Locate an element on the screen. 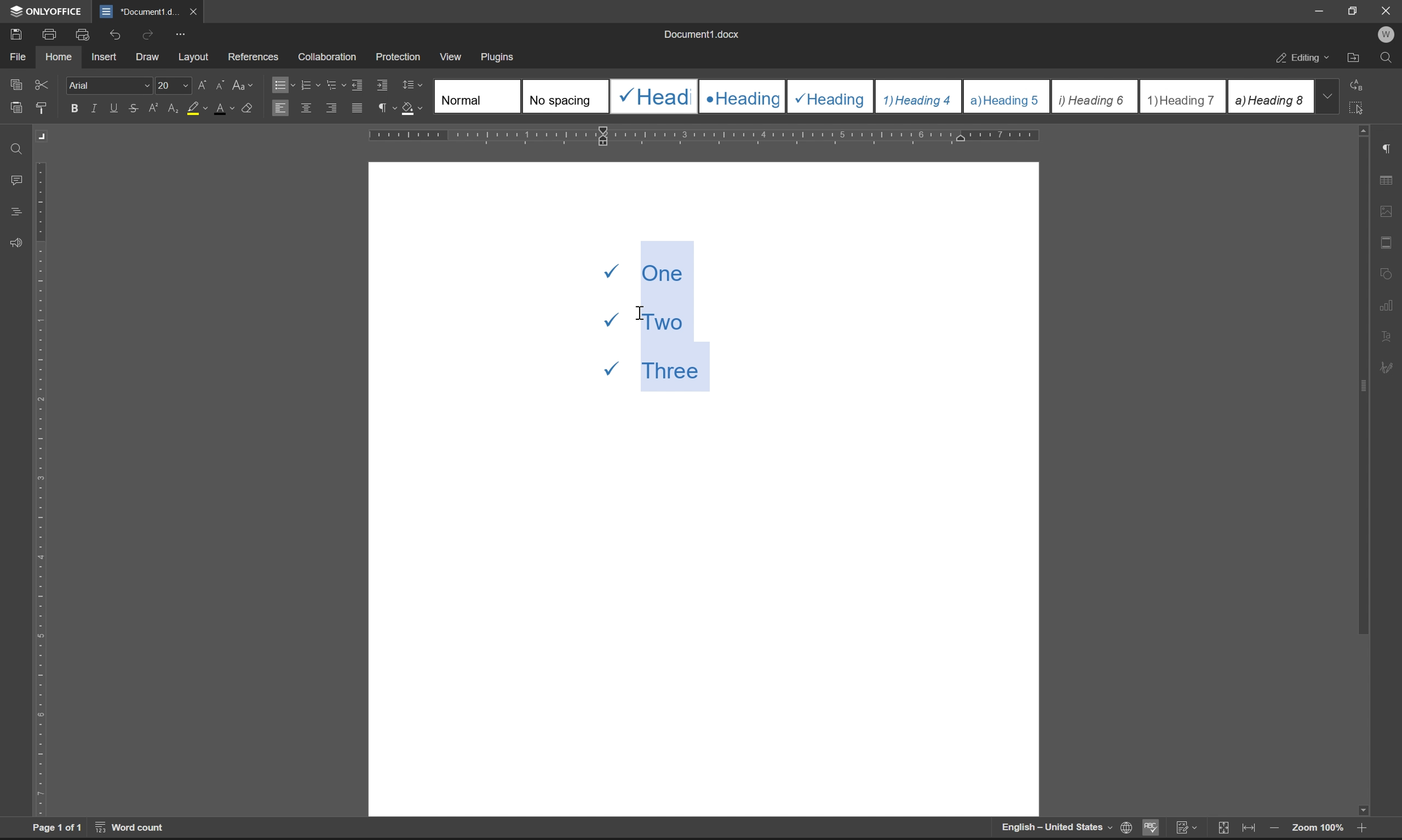 The height and width of the screenshot is (840, 1402). customize quick access toolbar is located at coordinates (180, 35).